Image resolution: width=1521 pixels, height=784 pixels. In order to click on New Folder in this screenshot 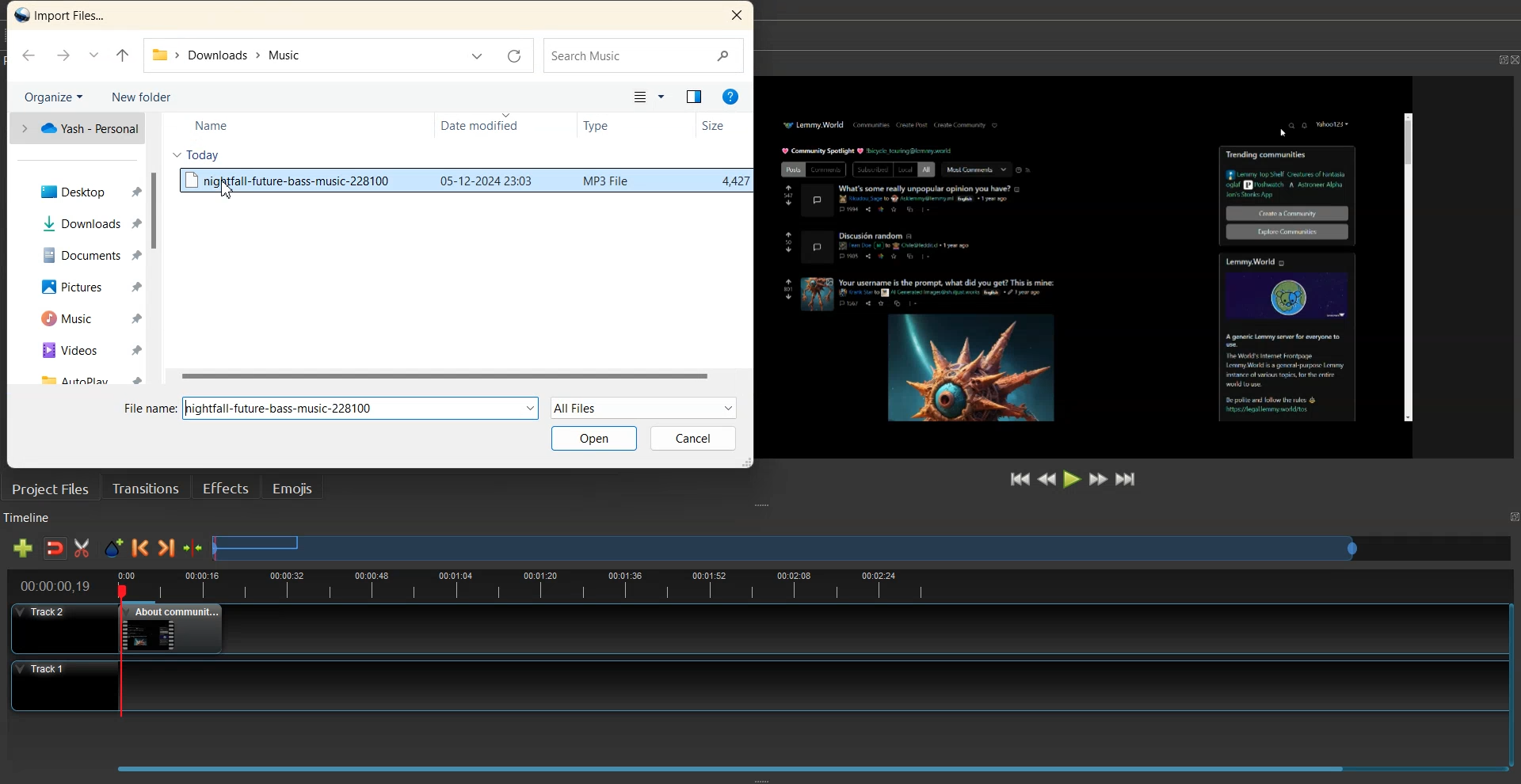, I will do `click(139, 96)`.